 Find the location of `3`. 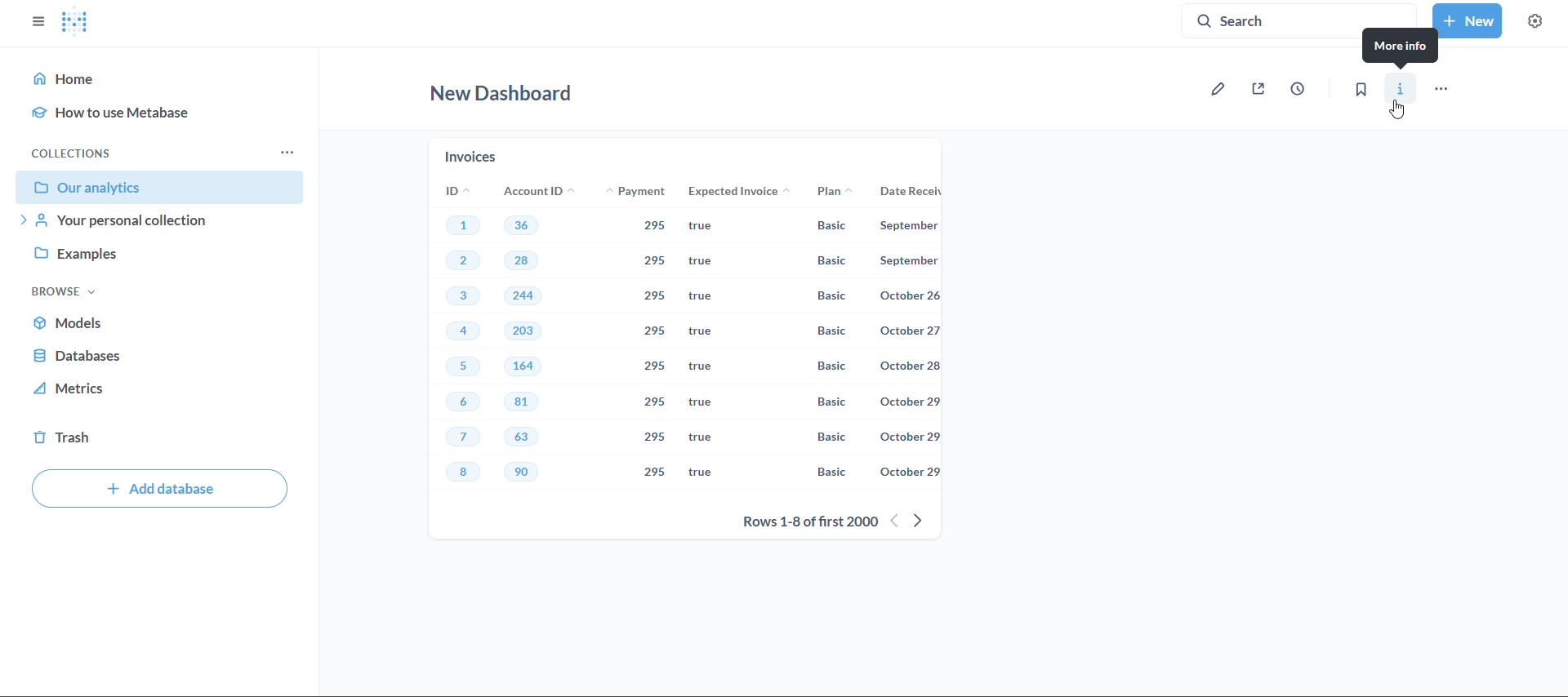

3 is located at coordinates (460, 297).